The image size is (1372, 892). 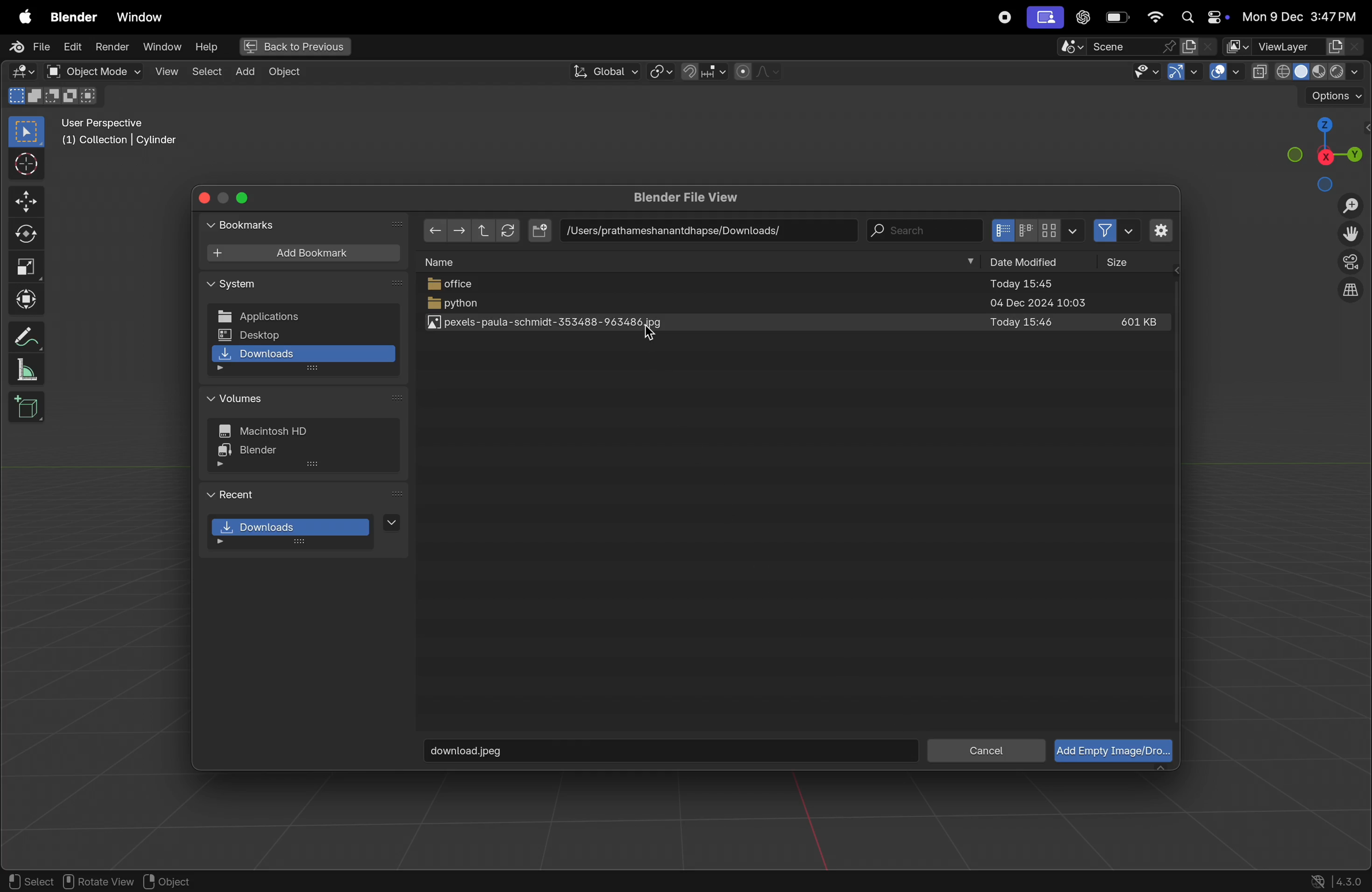 I want to click on Object, so click(x=291, y=72).